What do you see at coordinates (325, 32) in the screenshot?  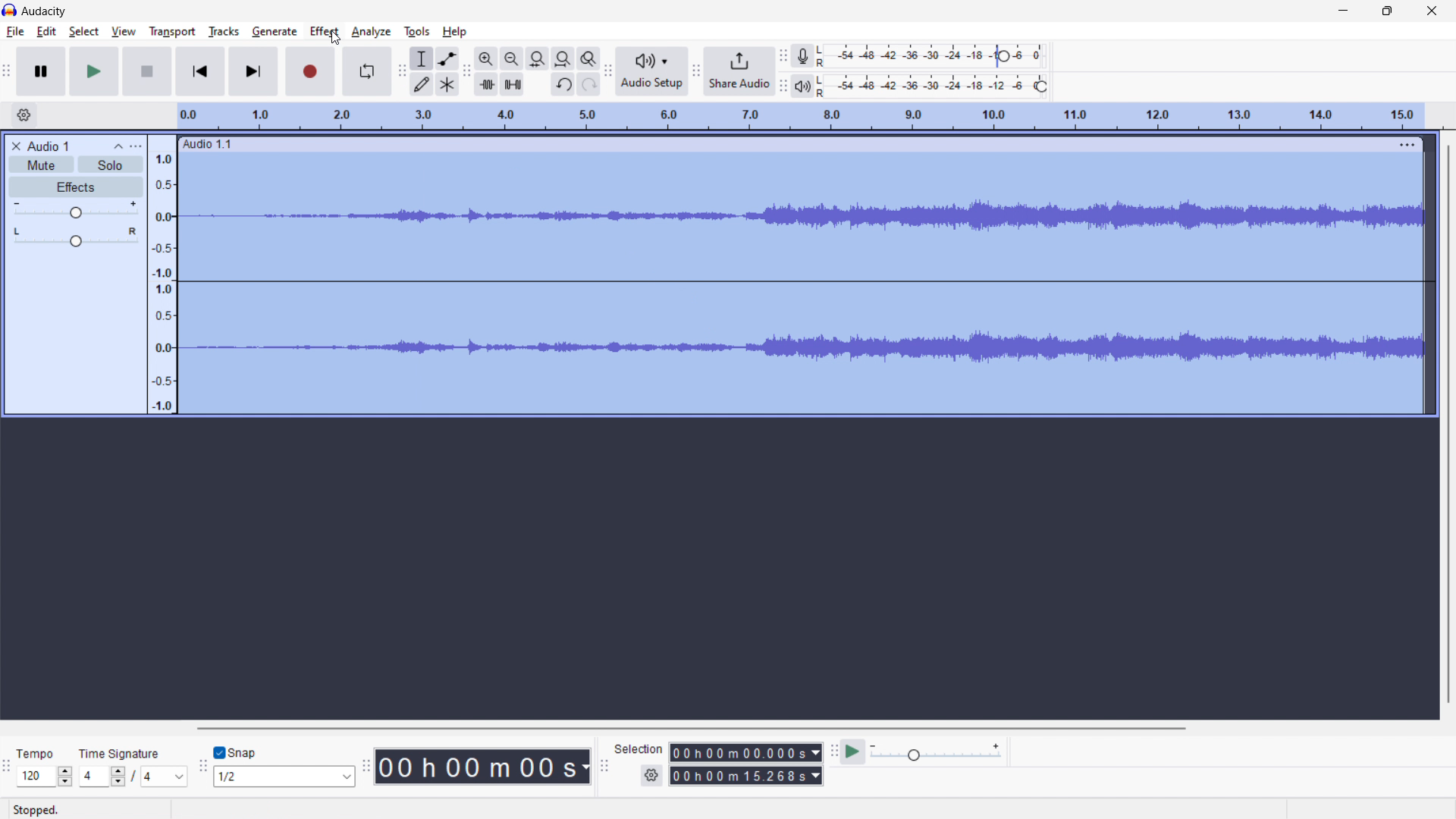 I see `effect` at bounding box center [325, 32].